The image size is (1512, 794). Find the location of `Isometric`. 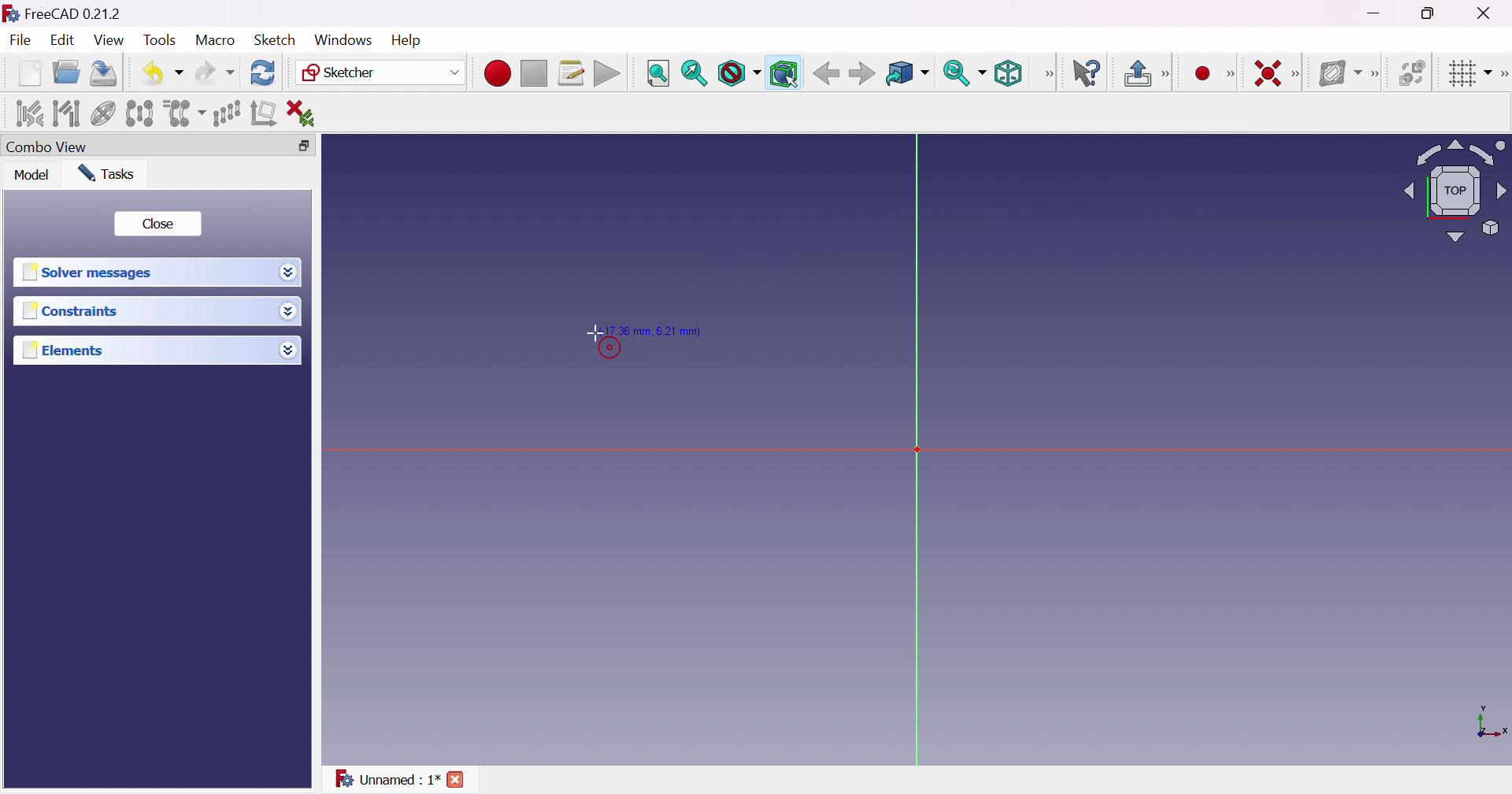

Isometric is located at coordinates (1008, 74).